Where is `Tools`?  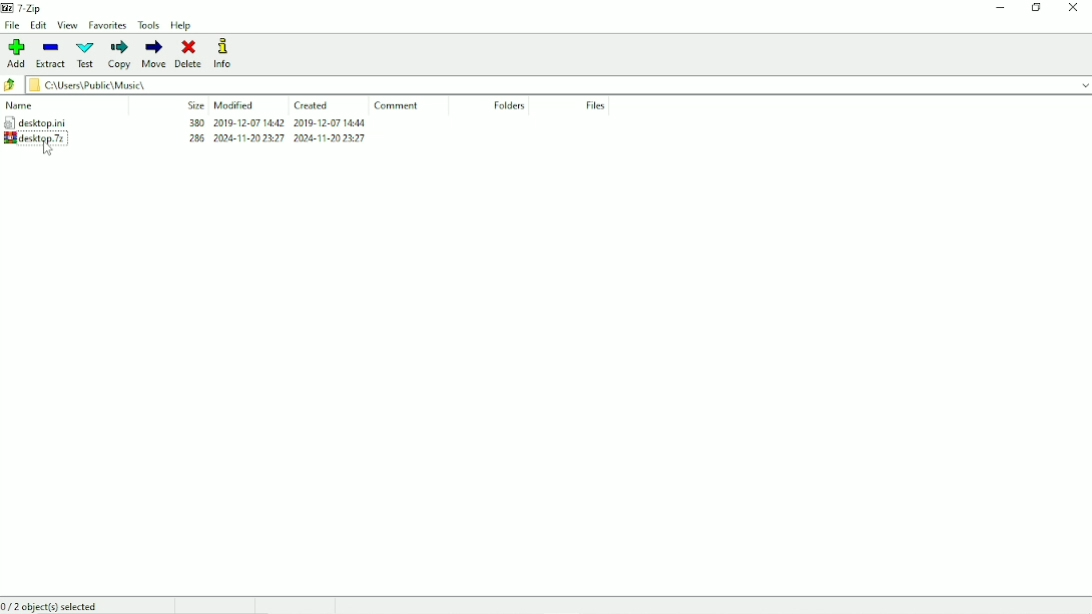
Tools is located at coordinates (149, 25).